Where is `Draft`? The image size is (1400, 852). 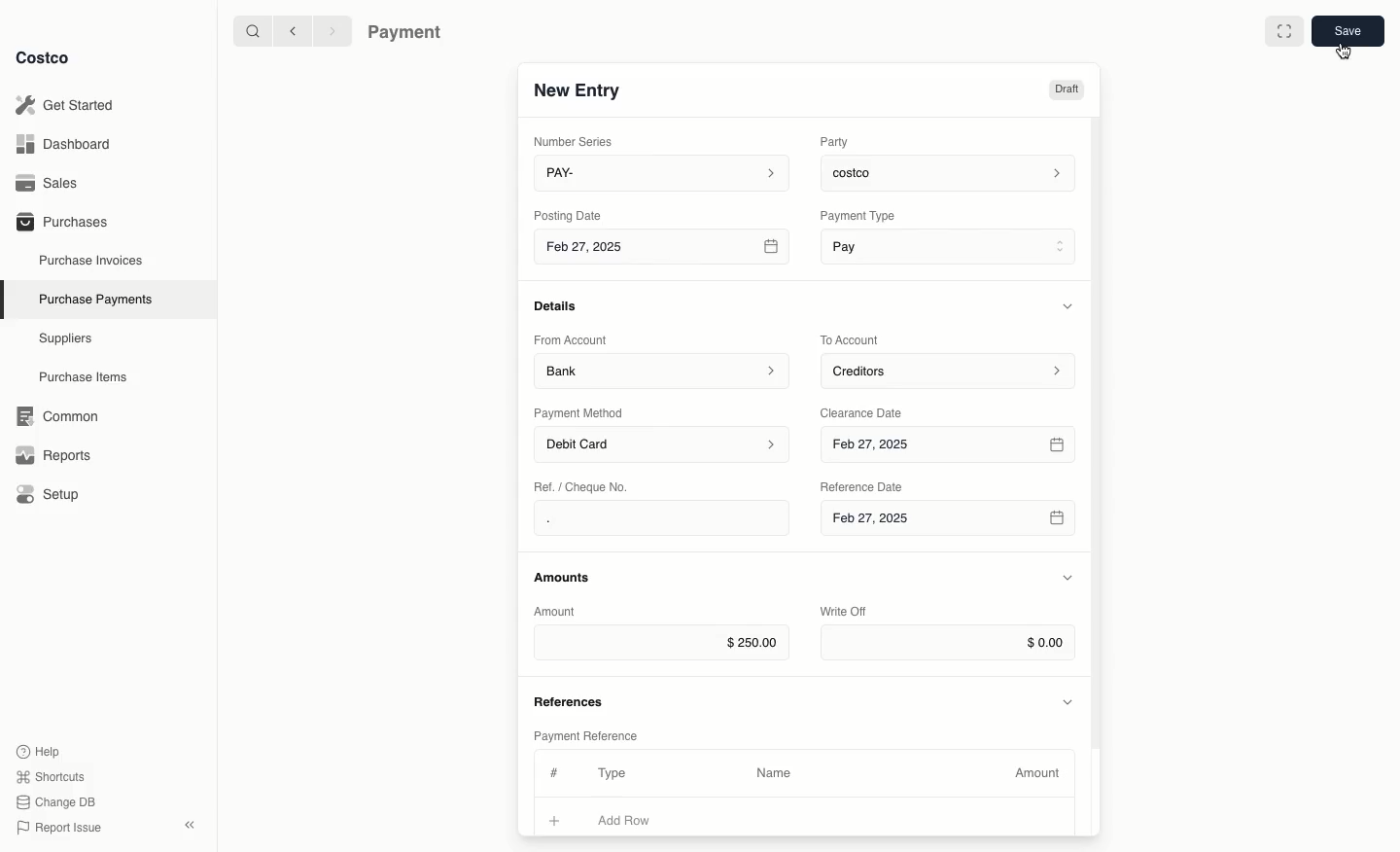
Draft is located at coordinates (1066, 89).